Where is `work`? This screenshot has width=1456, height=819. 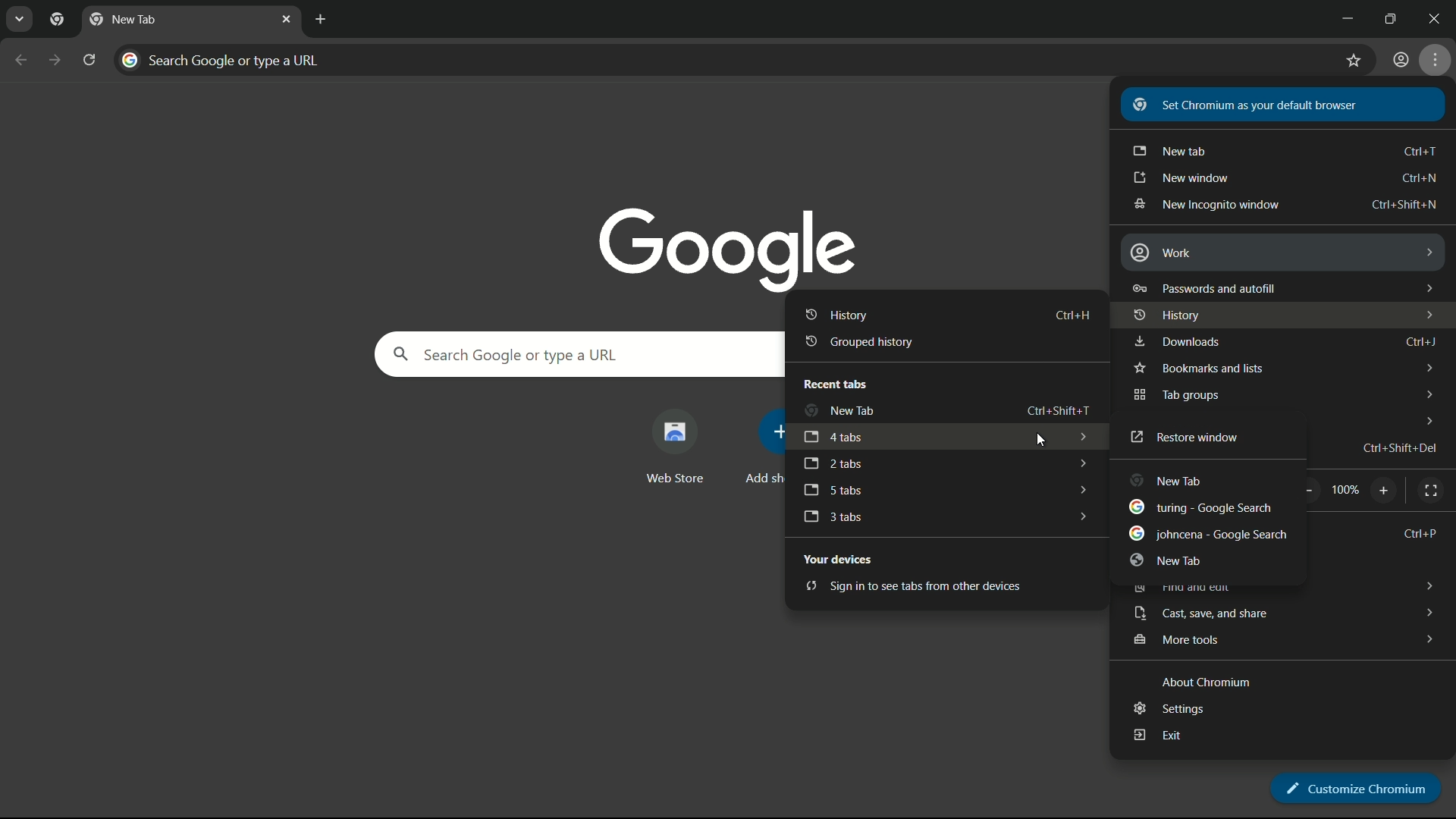
work is located at coordinates (1161, 253).